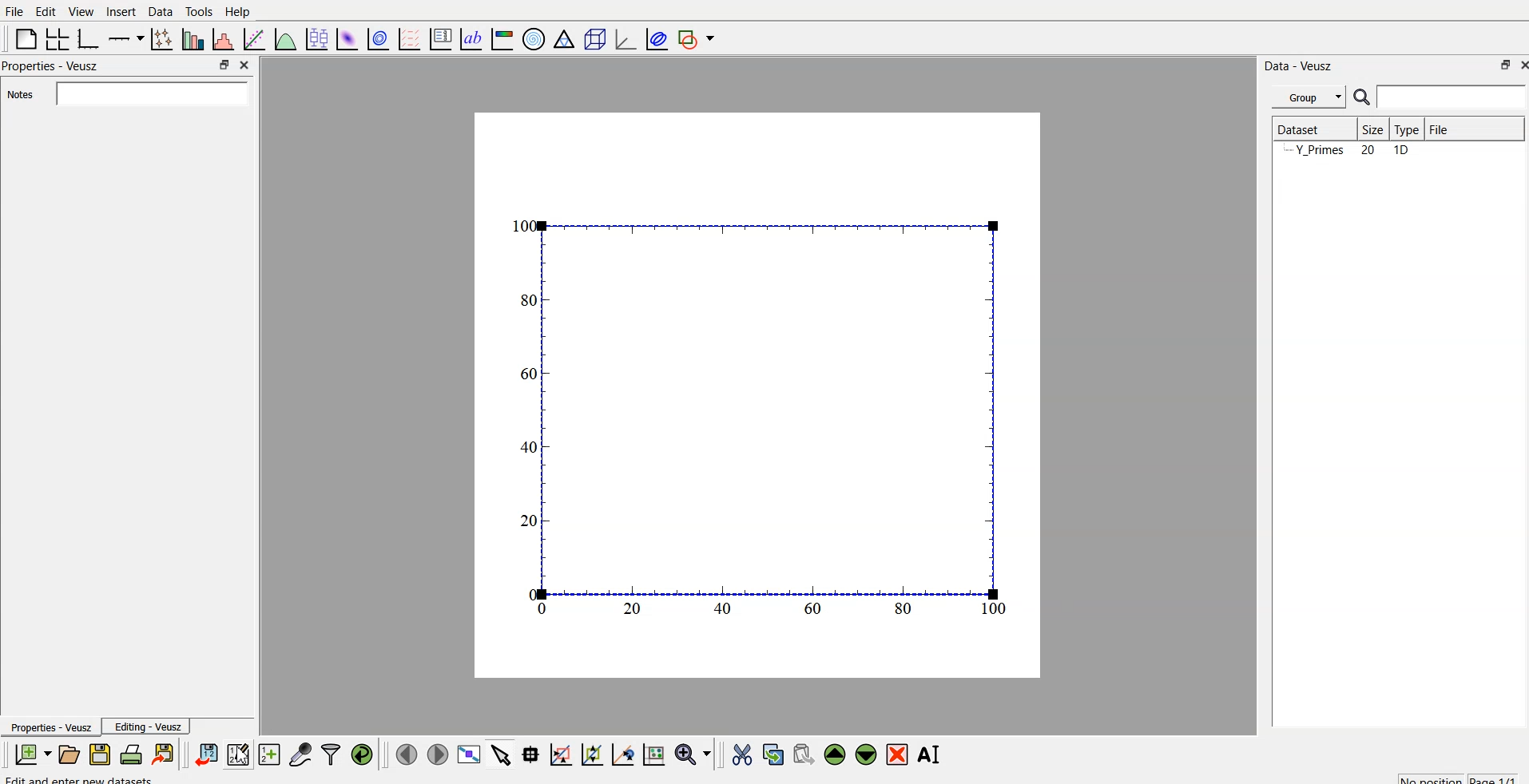 The image size is (1529, 784). Describe the element at coordinates (1344, 151) in the screenshot. I see `Y_Primes 20 1D` at that location.